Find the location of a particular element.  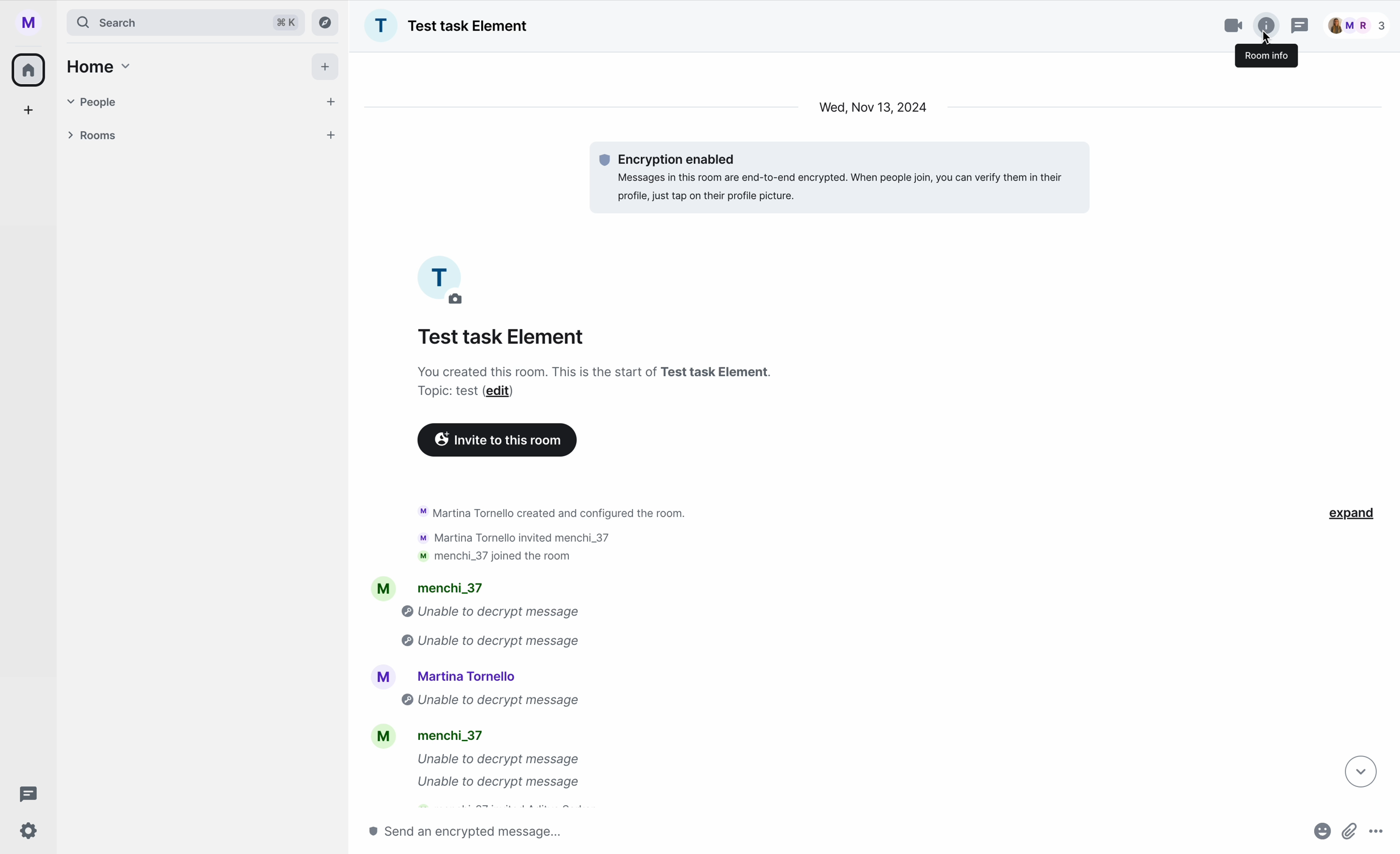

click on room info is located at coordinates (1267, 27).